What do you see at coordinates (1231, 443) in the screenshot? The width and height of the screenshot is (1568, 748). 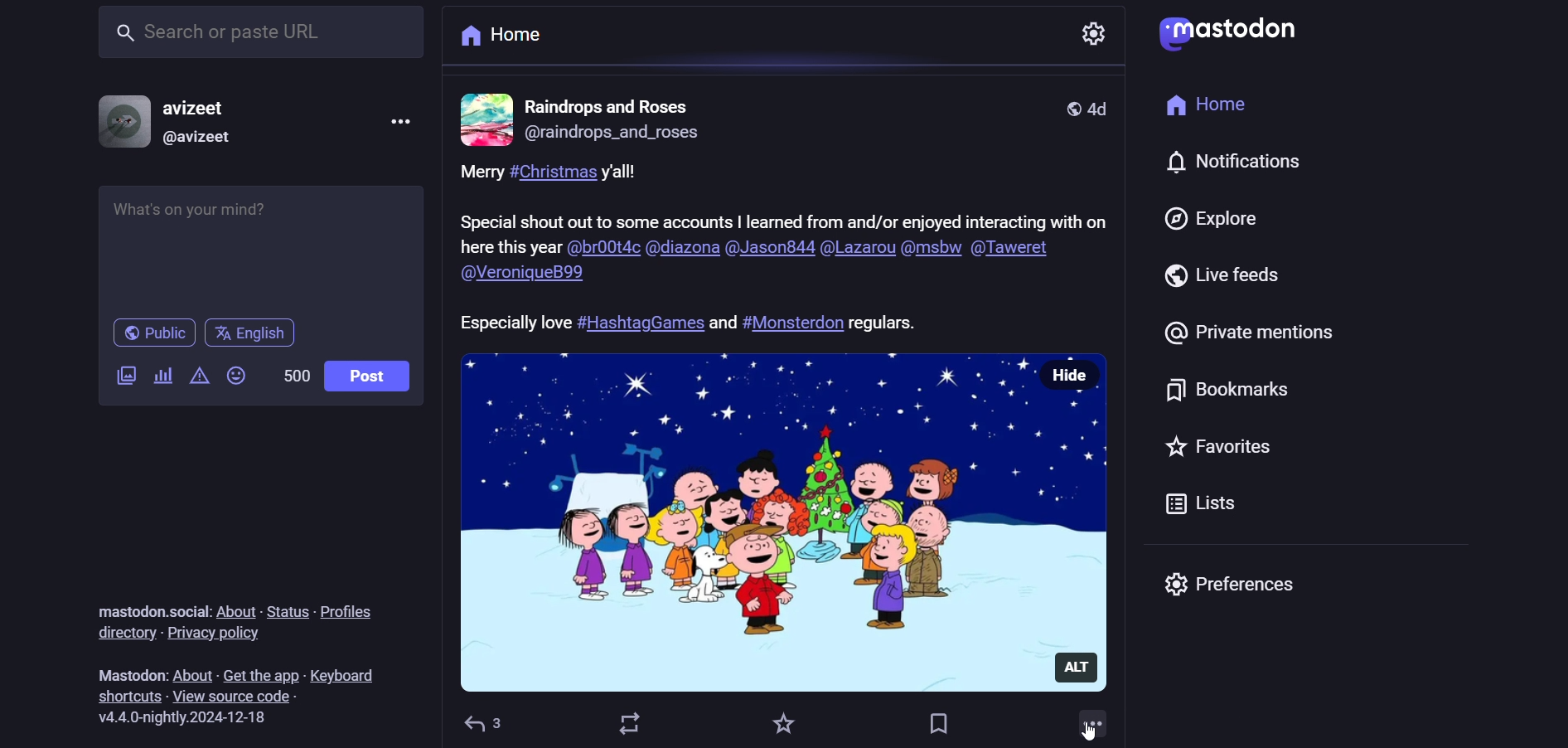 I see `favorites` at bounding box center [1231, 443].